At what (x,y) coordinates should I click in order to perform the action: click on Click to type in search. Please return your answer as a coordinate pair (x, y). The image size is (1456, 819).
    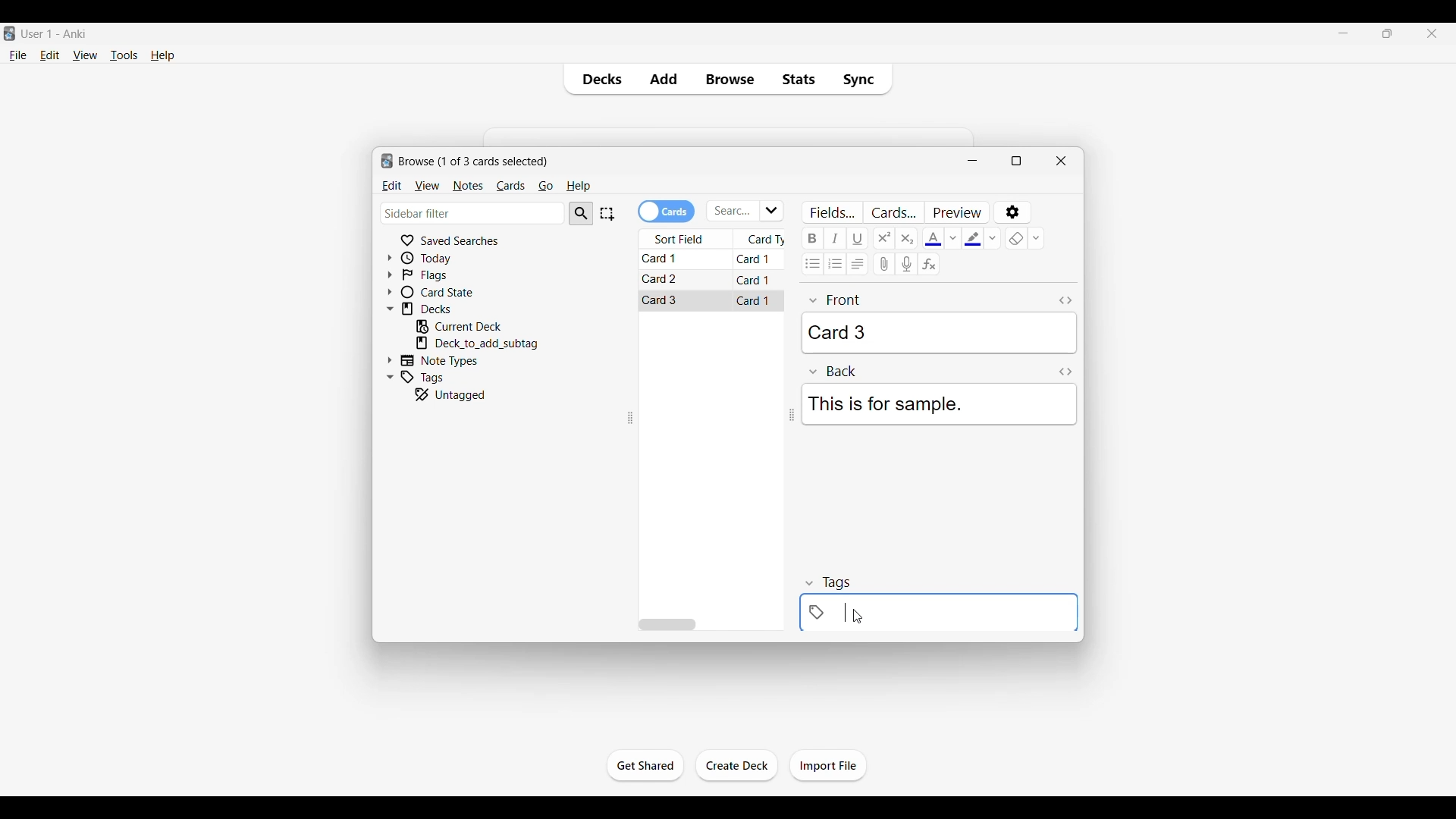
    Looking at the image, I should click on (474, 212).